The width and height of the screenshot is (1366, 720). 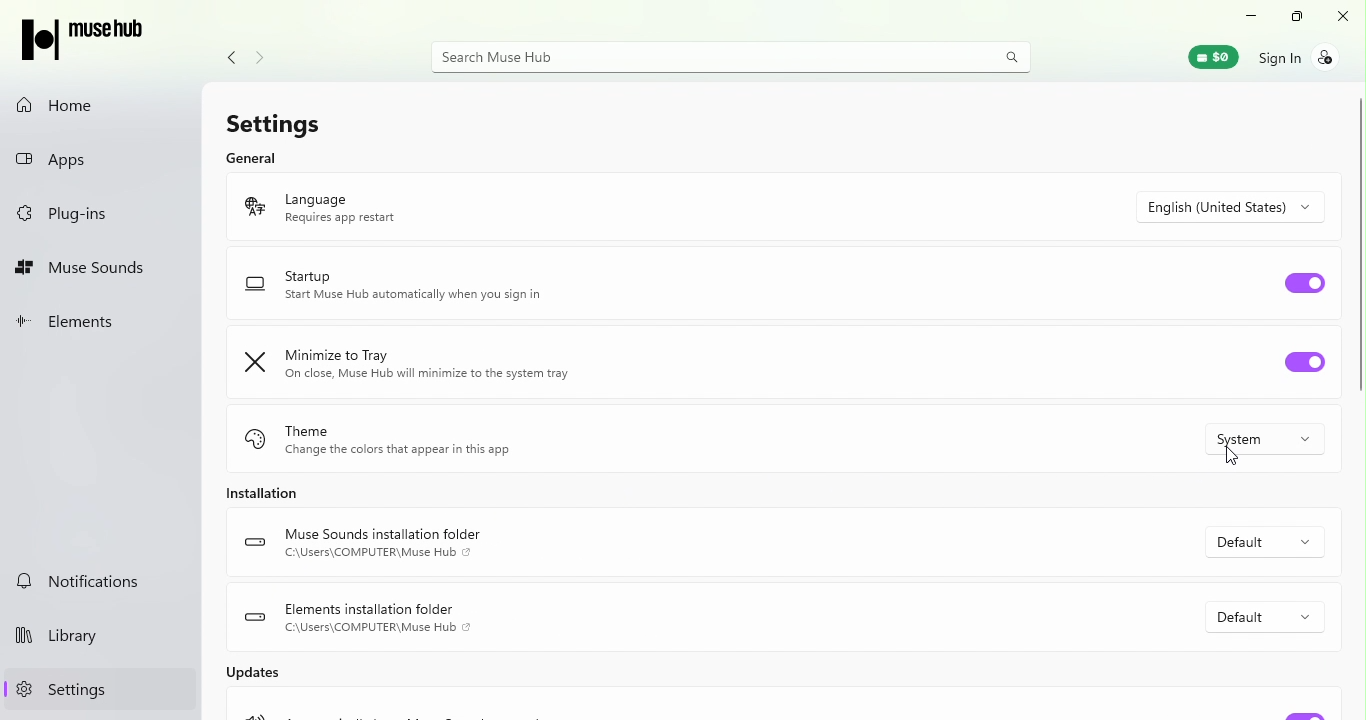 What do you see at coordinates (443, 437) in the screenshot?
I see `Theme` at bounding box center [443, 437].